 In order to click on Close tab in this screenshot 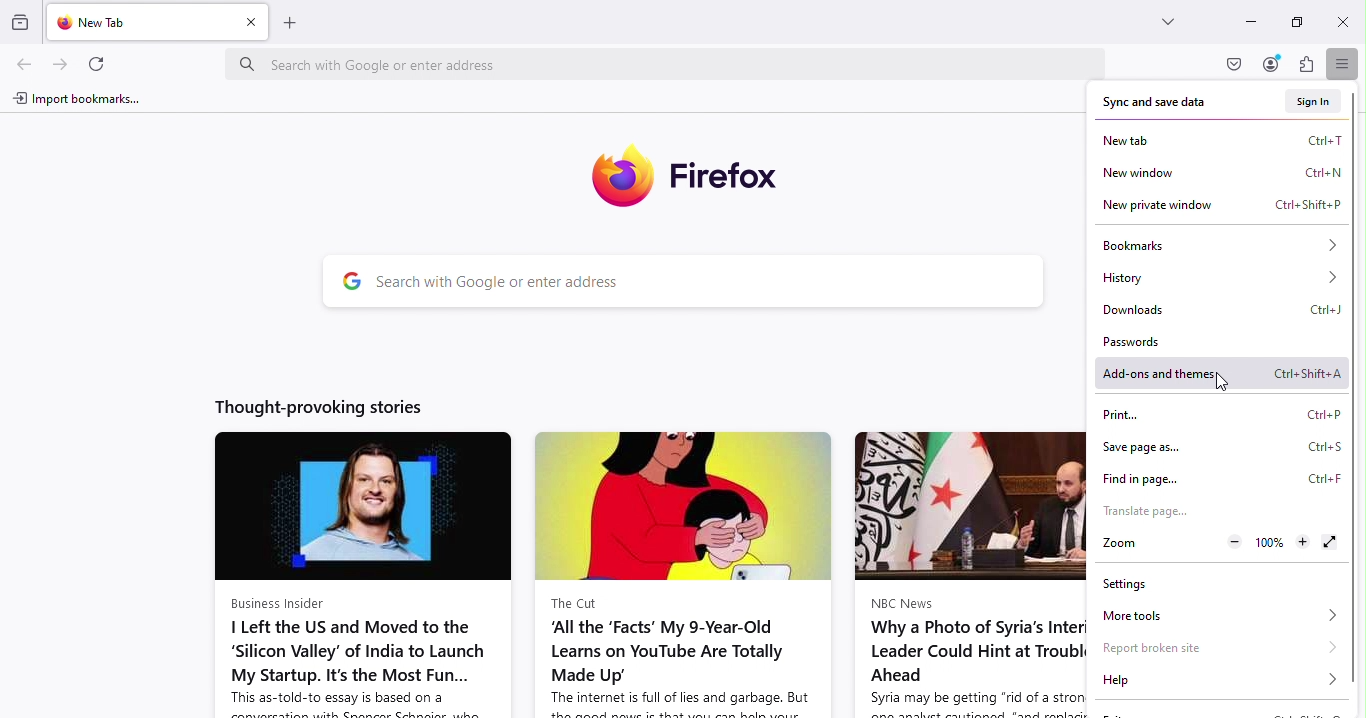, I will do `click(250, 23)`.